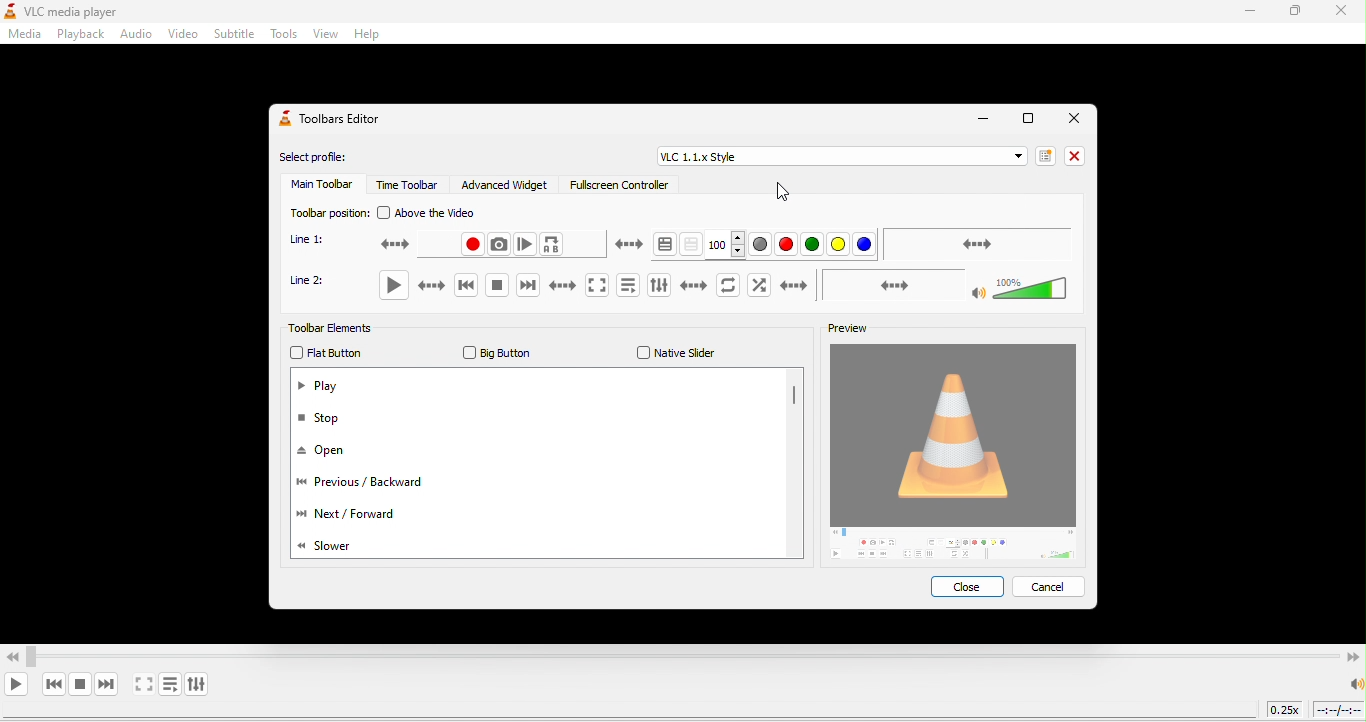 Image resolution: width=1366 pixels, height=722 pixels. Describe the element at coordinates (1339, 710) in the screenshot. I see `timeline` at that location.